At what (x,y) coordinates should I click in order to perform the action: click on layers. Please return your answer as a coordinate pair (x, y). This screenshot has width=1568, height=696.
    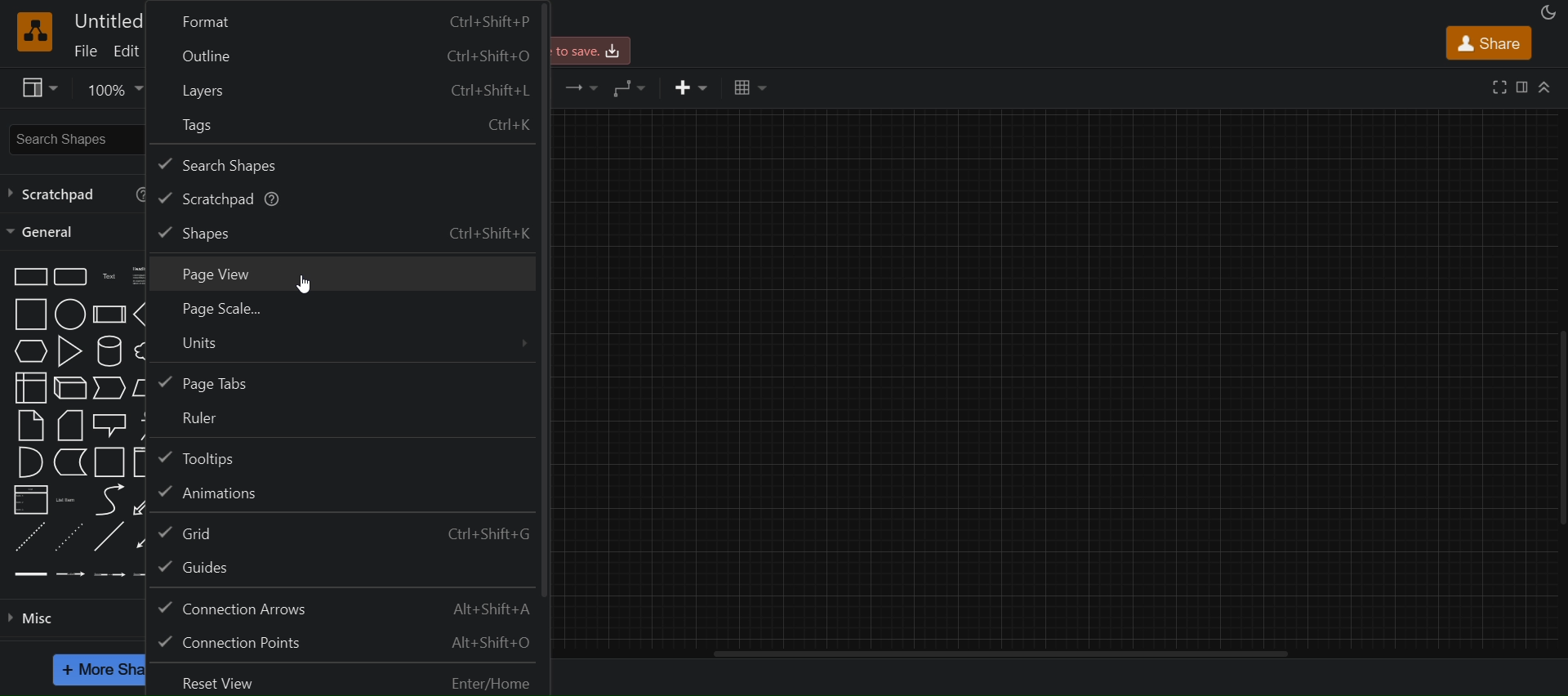
    Looking at the image, I should click on (346, 88).